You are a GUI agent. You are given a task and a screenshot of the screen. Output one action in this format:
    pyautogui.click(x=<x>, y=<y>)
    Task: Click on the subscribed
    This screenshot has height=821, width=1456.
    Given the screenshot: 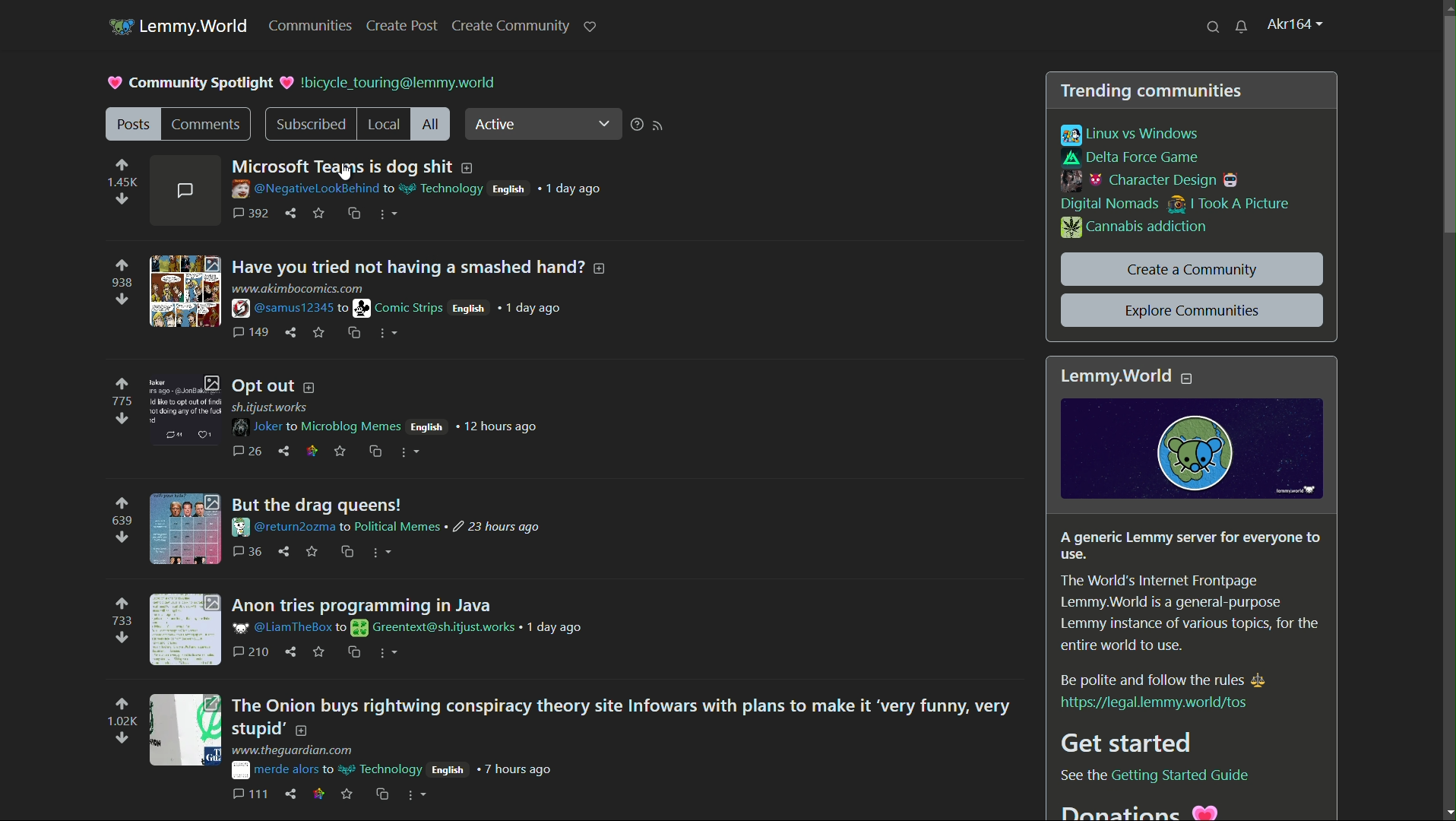 What is the action you would take?
    pyautogui.click(x=309, y=125)
    